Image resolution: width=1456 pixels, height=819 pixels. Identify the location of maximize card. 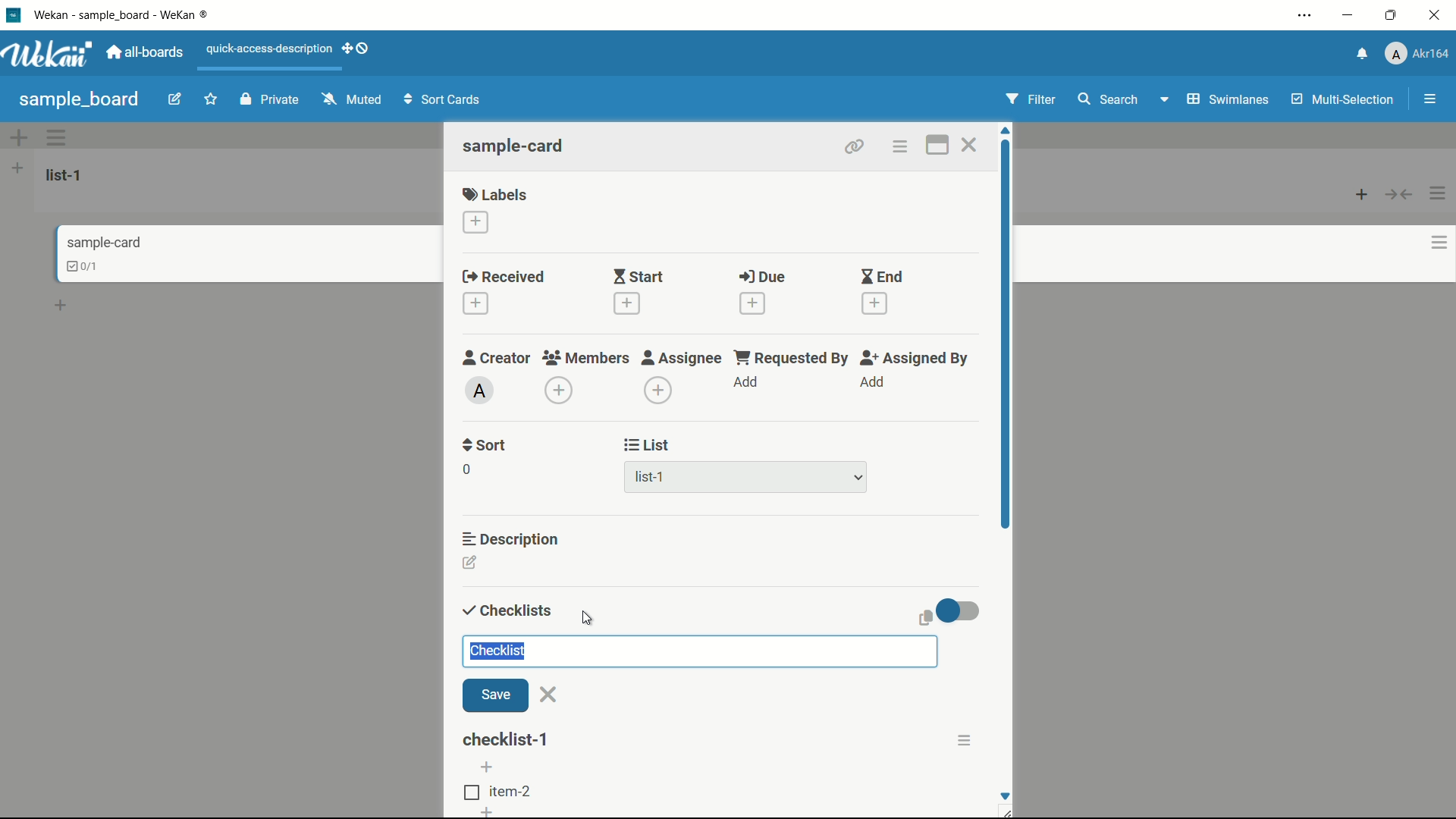
(937, 147).